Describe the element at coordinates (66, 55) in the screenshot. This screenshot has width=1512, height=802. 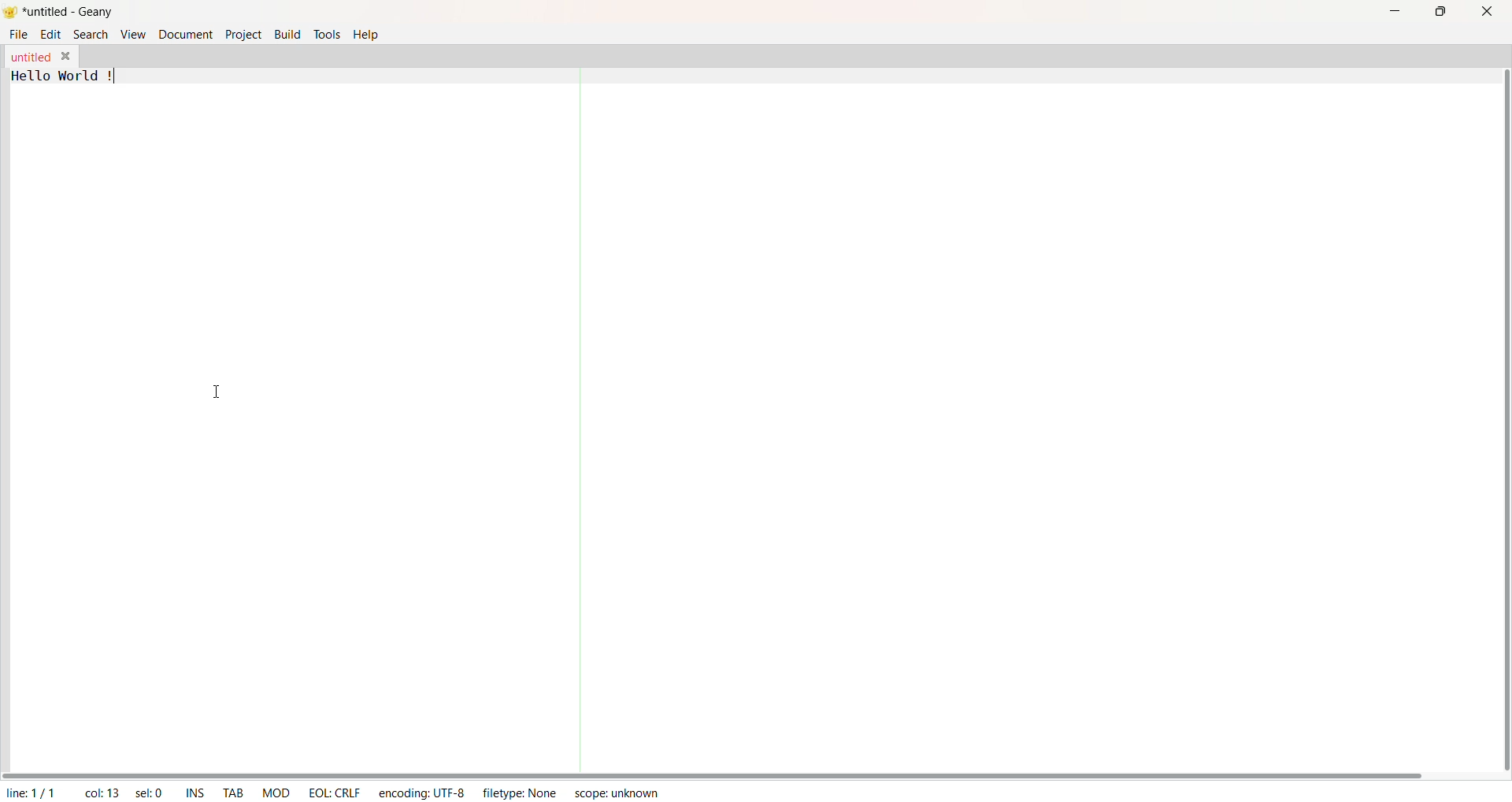
I see `Close File` at that location.